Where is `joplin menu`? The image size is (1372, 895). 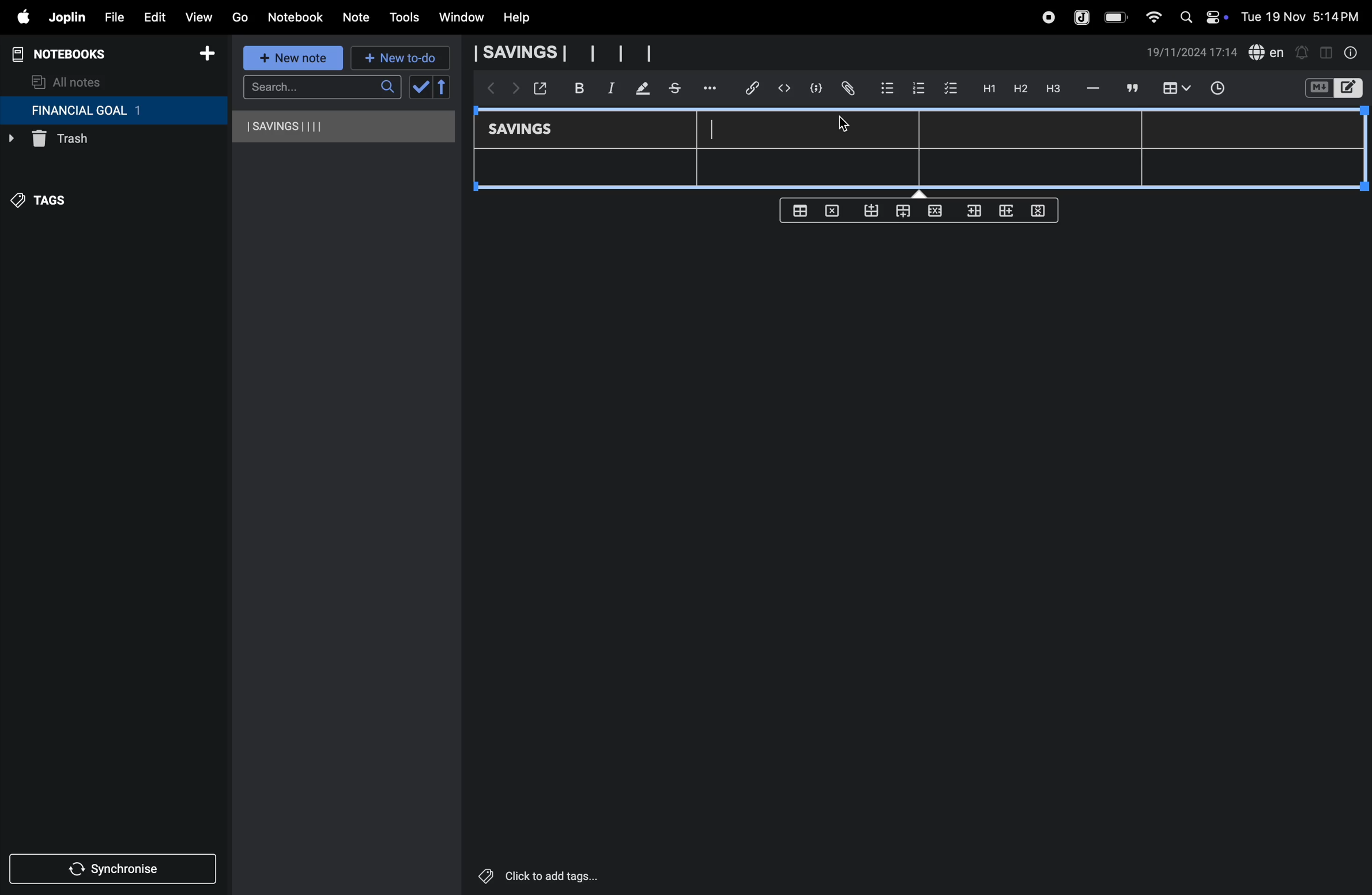
joplin menu is located at coordinates (65, 17).